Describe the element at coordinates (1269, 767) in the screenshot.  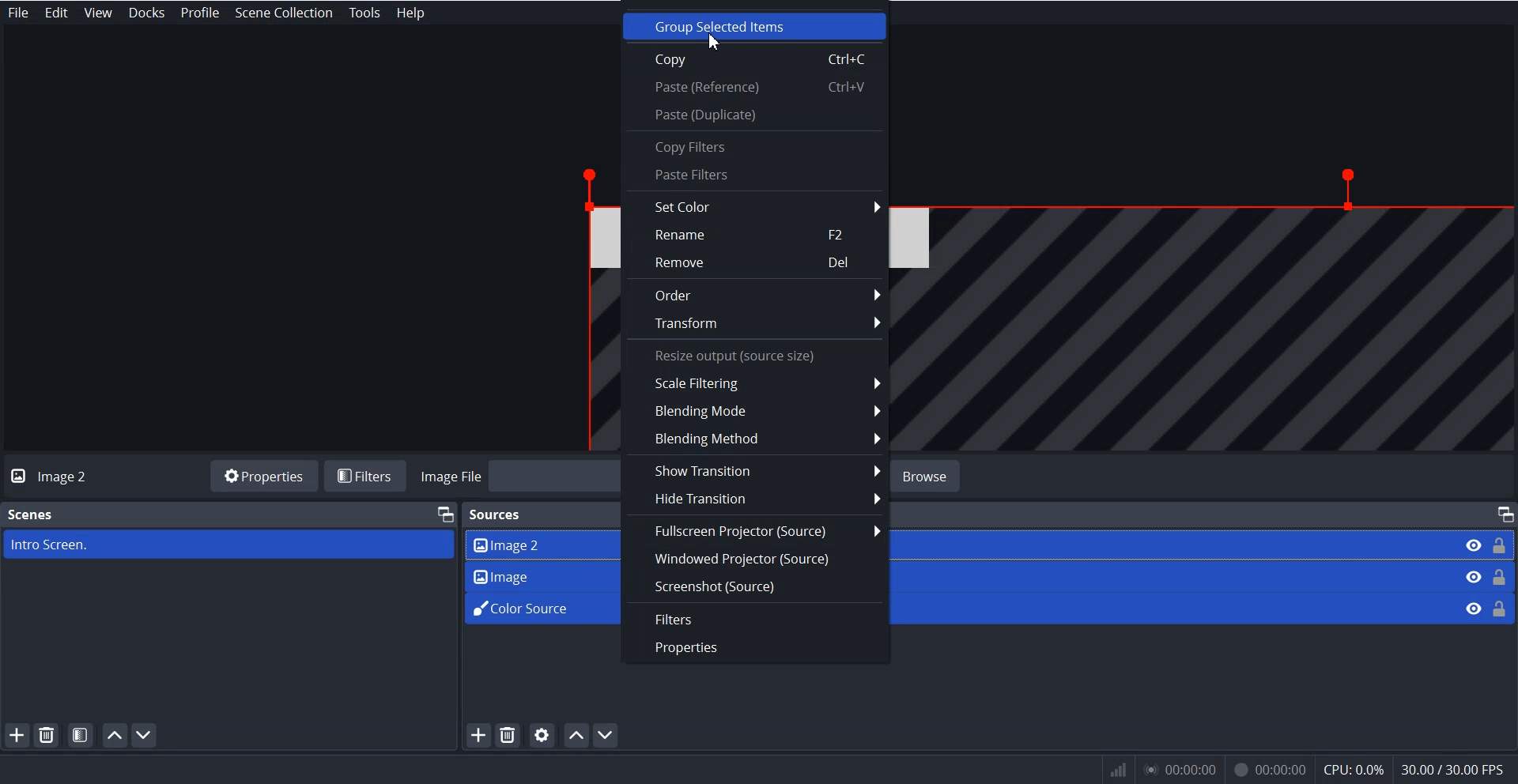
I see `00:00:00` at that location.